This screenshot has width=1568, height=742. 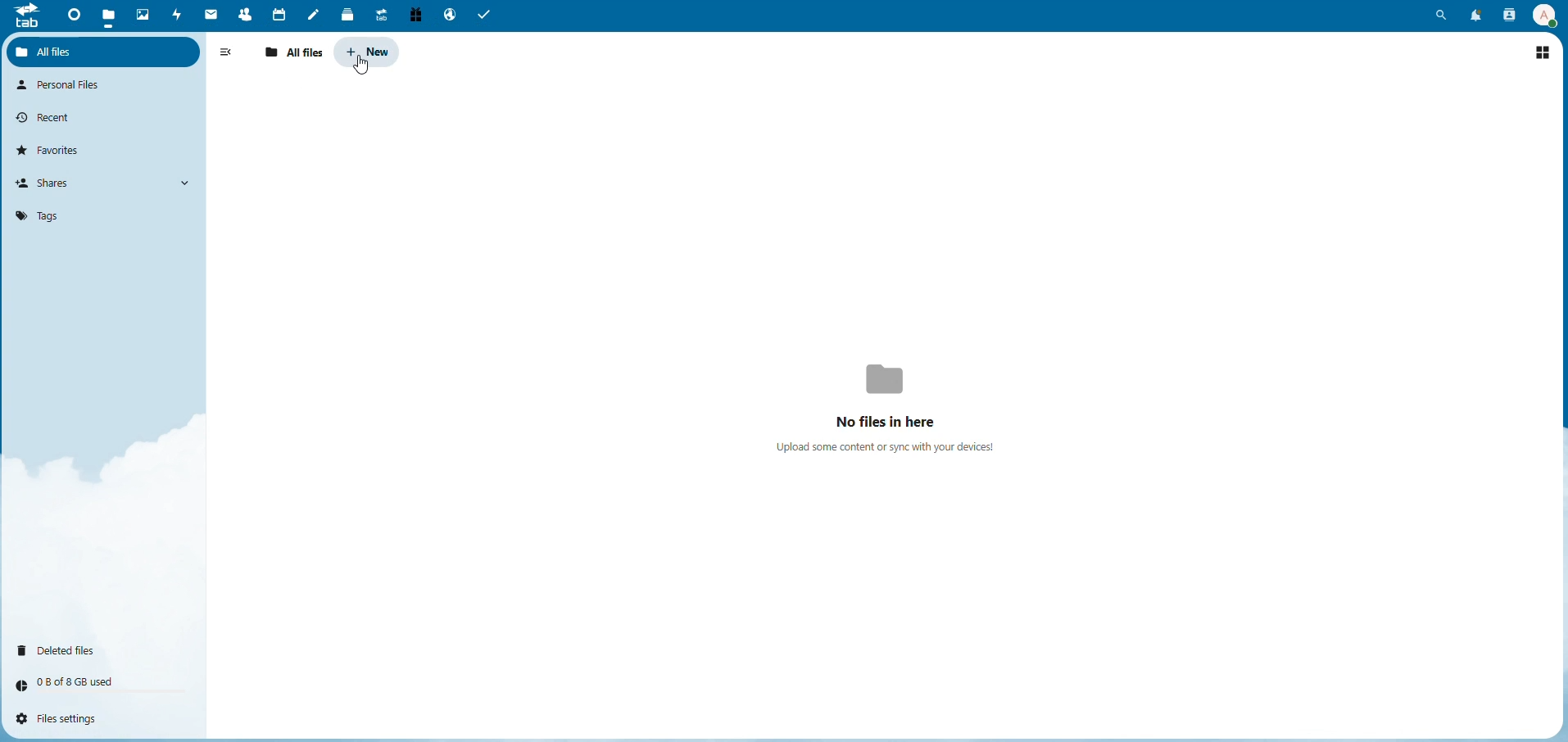 I want to click on cursor, so click(x=360, y=64).